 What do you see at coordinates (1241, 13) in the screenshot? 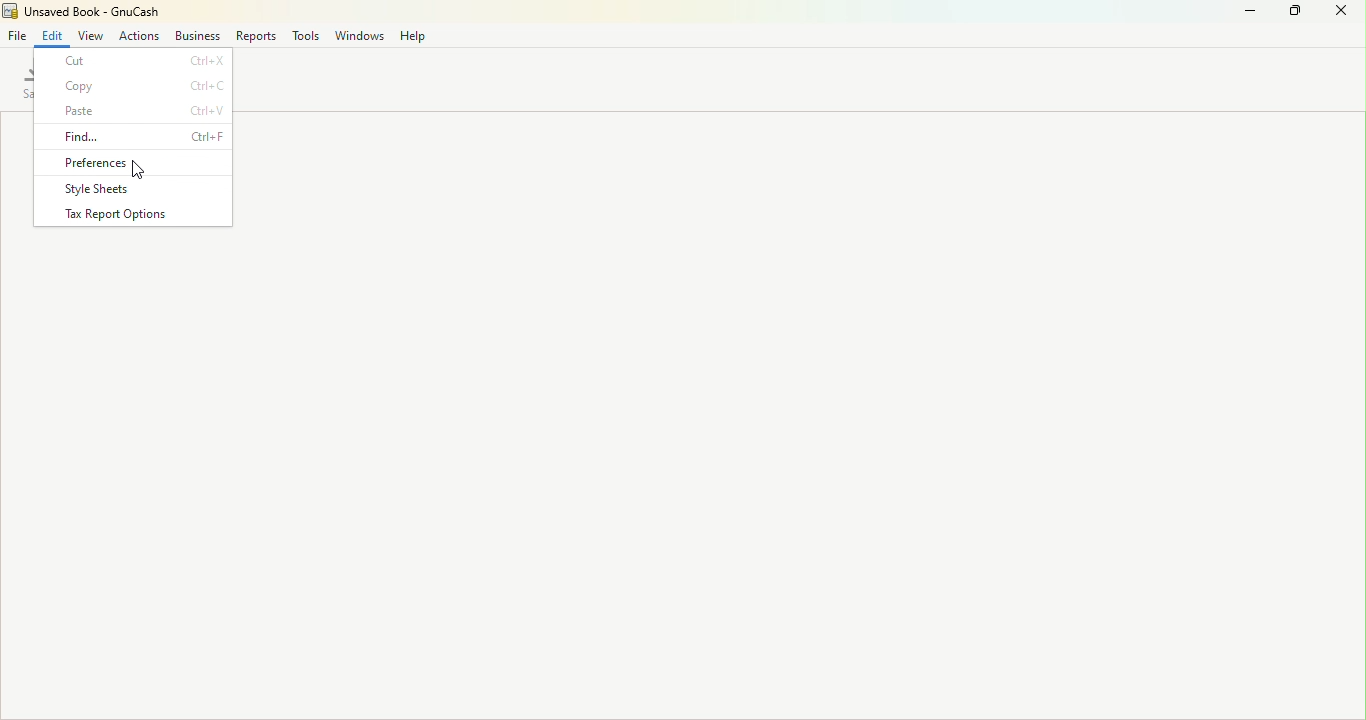
I see `Minimize` at bounding box center [1241, 13].